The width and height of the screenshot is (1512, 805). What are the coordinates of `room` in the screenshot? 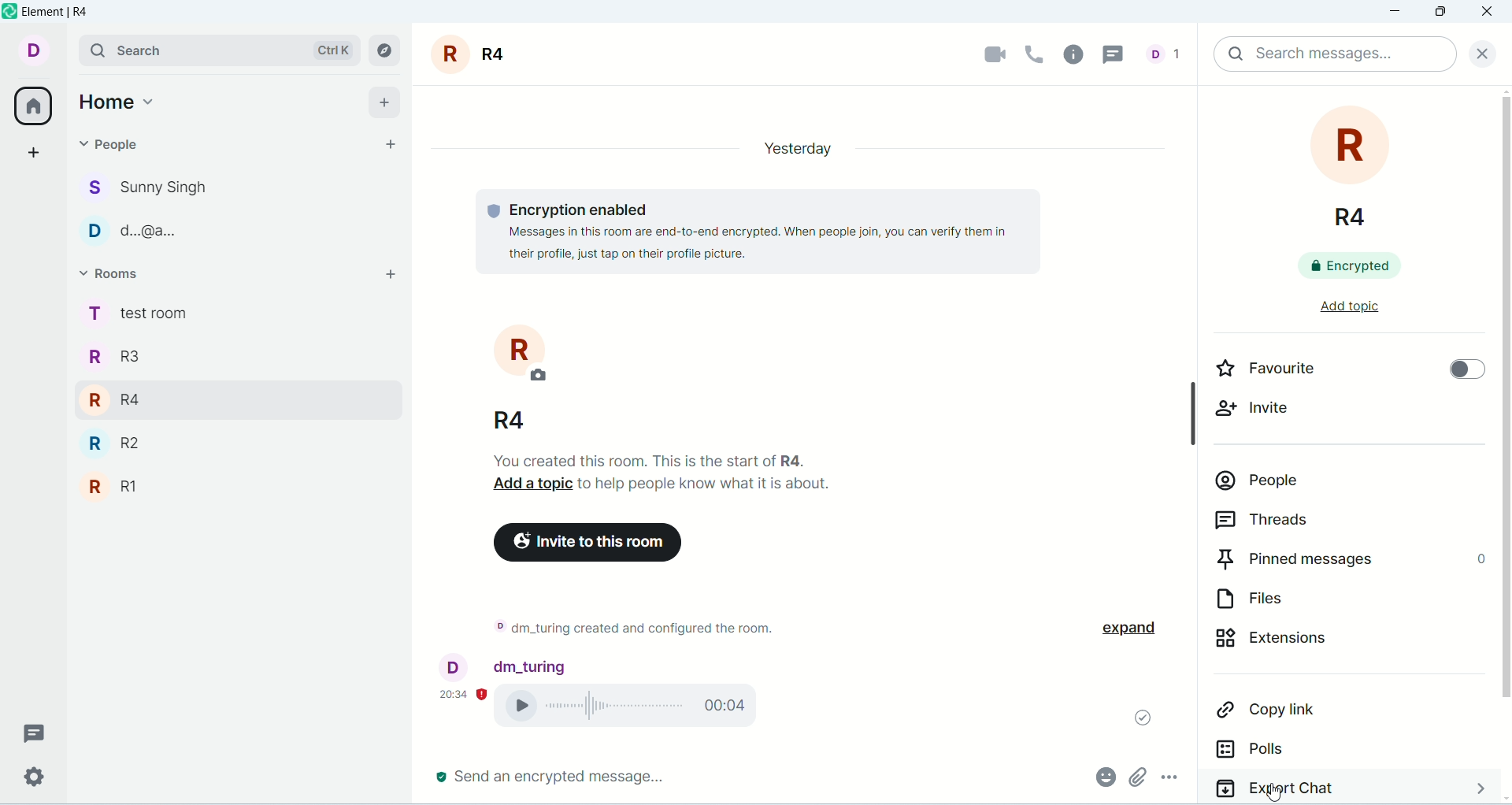 It's located at (474, 54).